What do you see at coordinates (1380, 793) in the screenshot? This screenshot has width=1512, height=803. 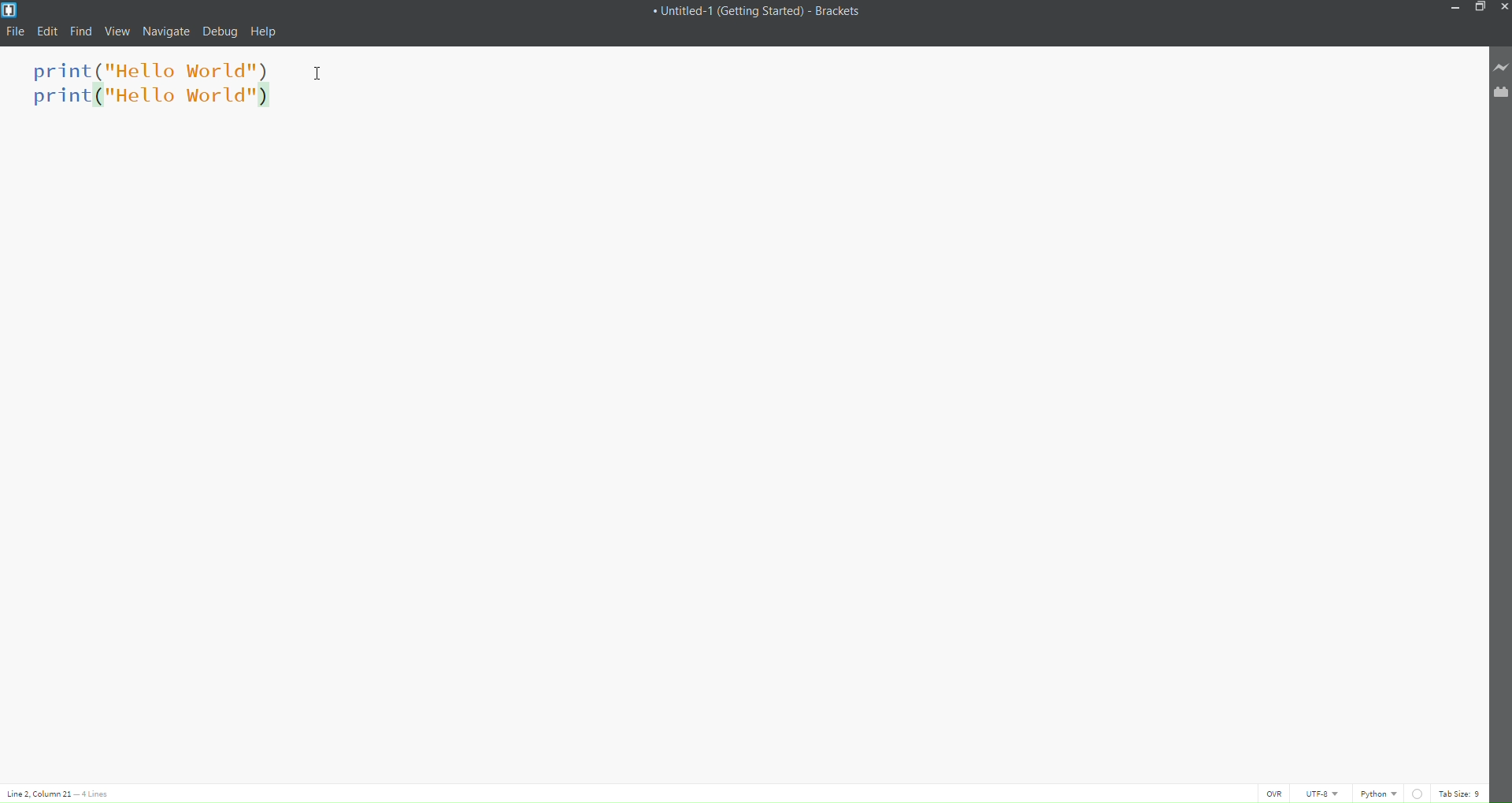 I see `programming language` at bounding box center [1380, 793].